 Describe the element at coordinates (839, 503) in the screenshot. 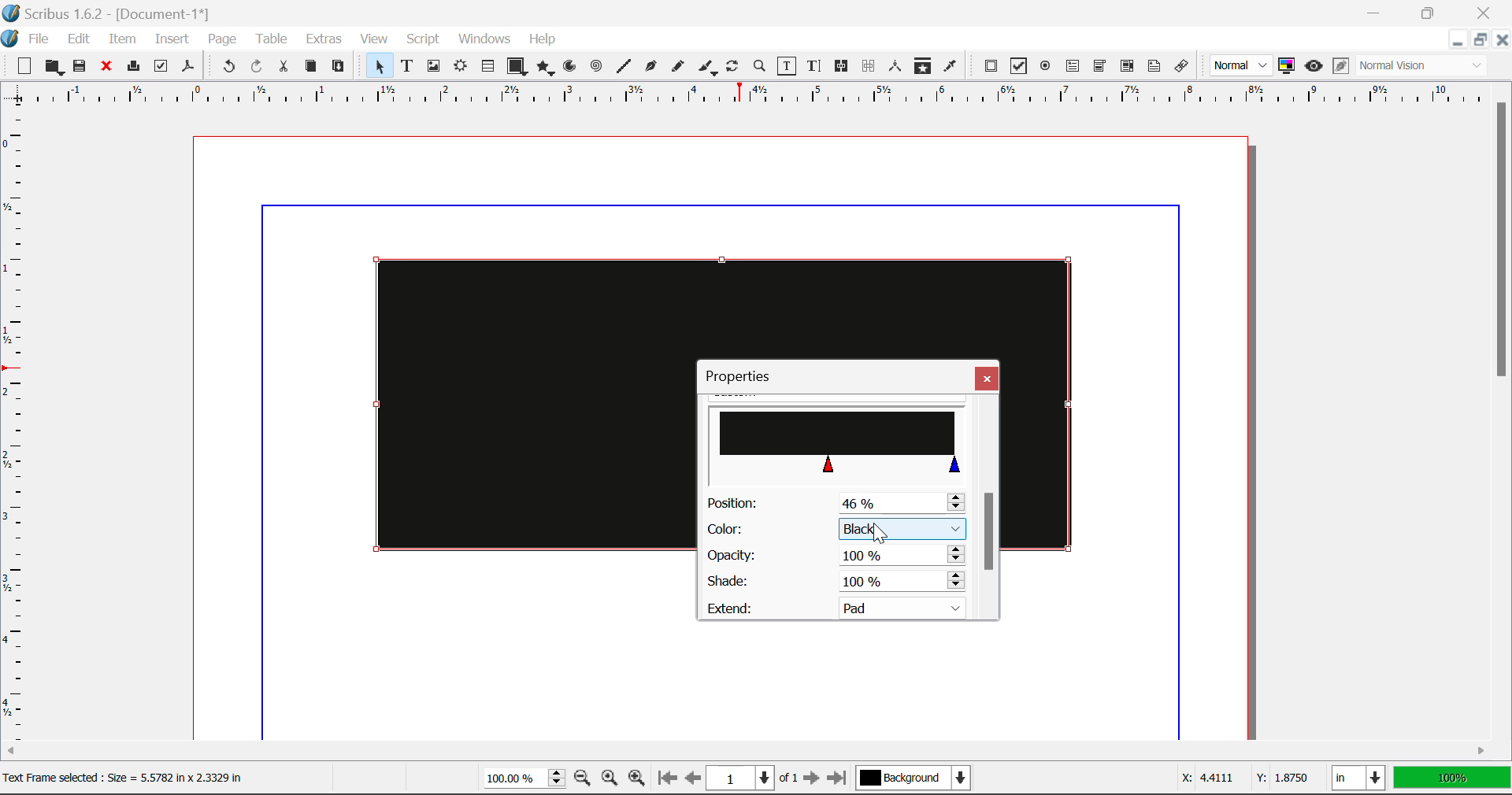

I see `Position Altered` at that location.